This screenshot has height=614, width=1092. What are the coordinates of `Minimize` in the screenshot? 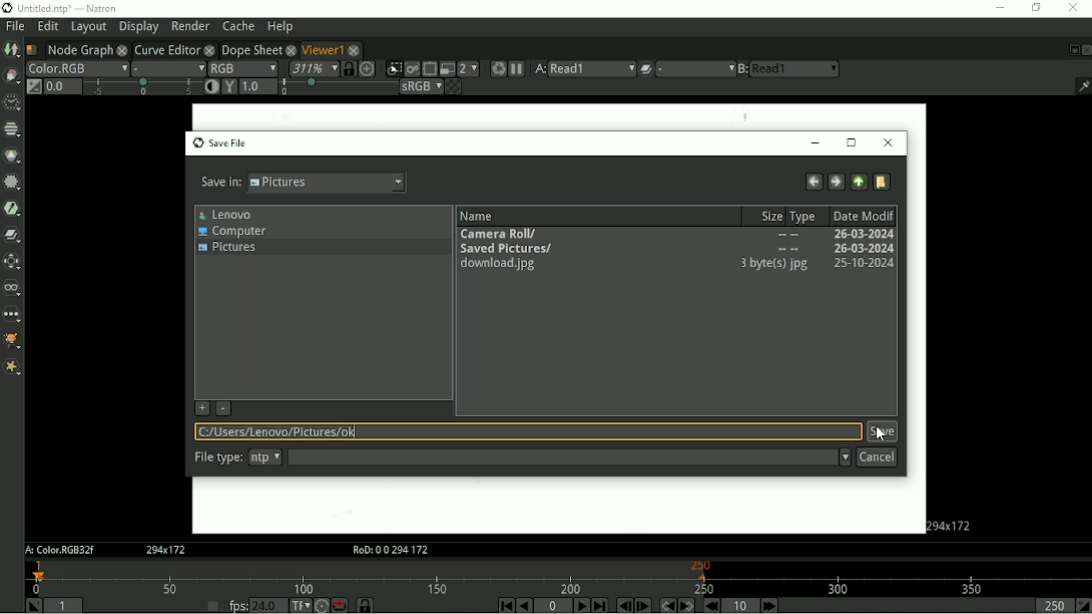 It's located at (817, 144).